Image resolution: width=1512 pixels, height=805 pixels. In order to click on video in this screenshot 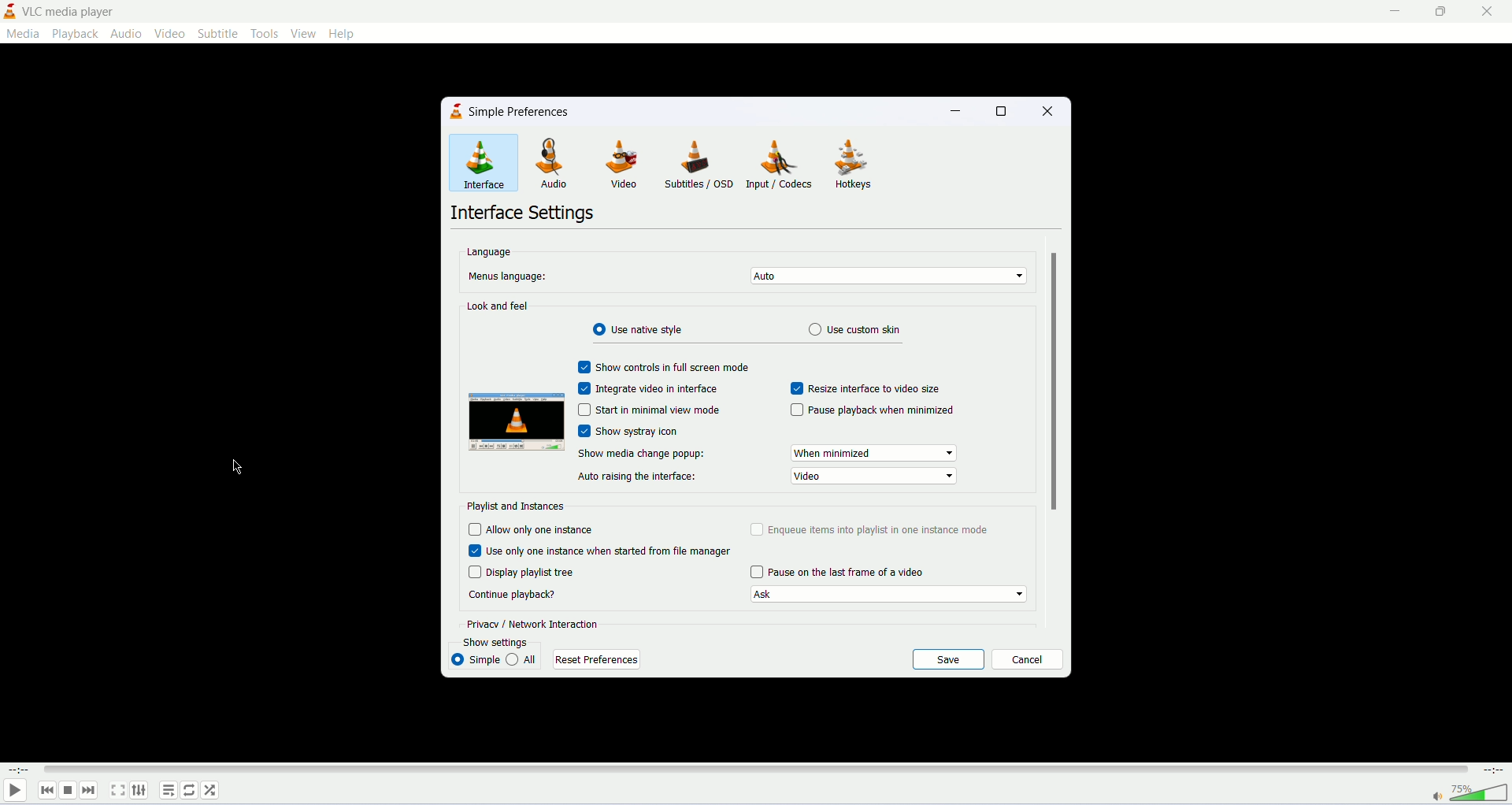, I will do `click(169, 34)`.